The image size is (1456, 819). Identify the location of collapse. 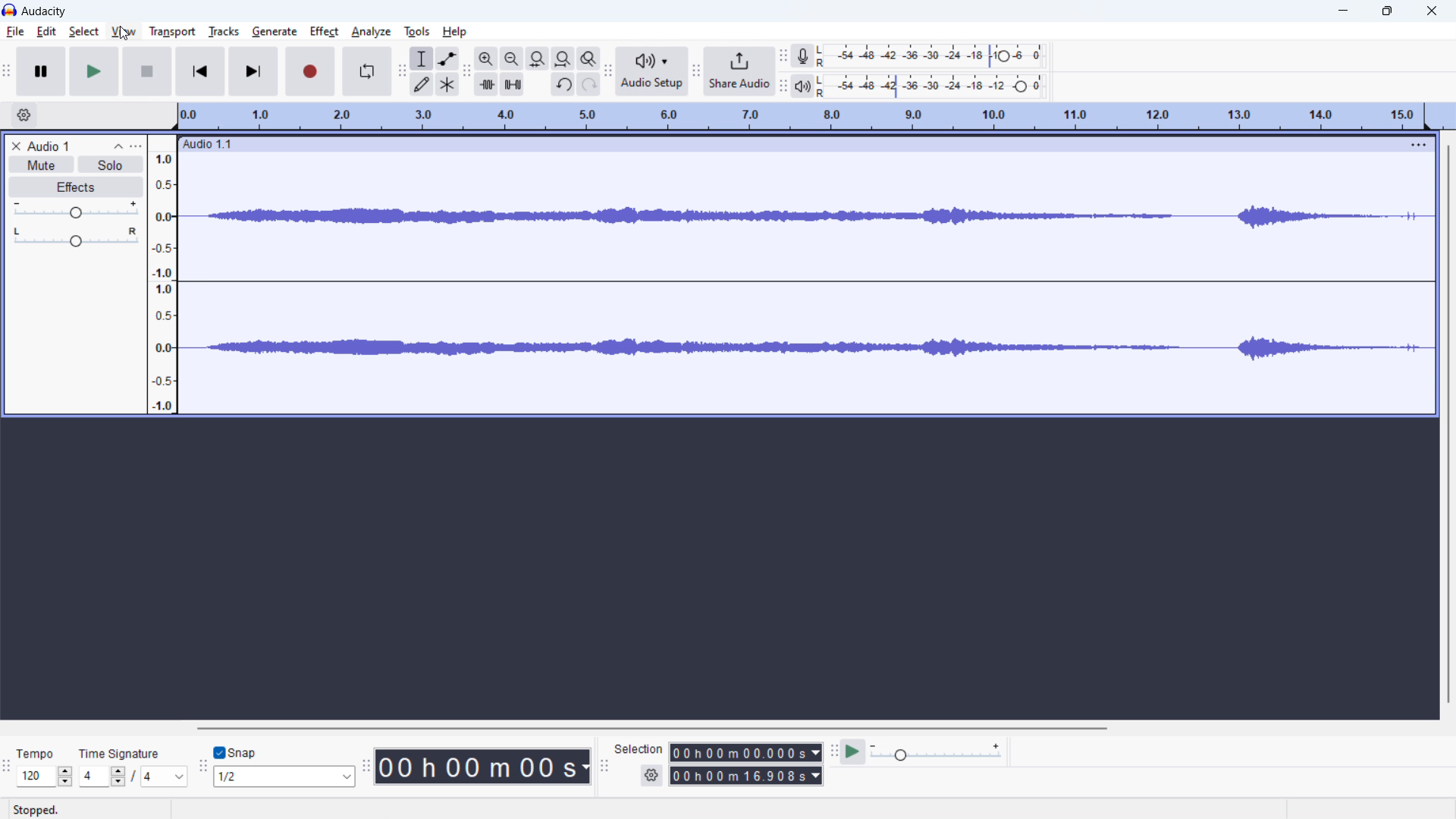
(118, 146).